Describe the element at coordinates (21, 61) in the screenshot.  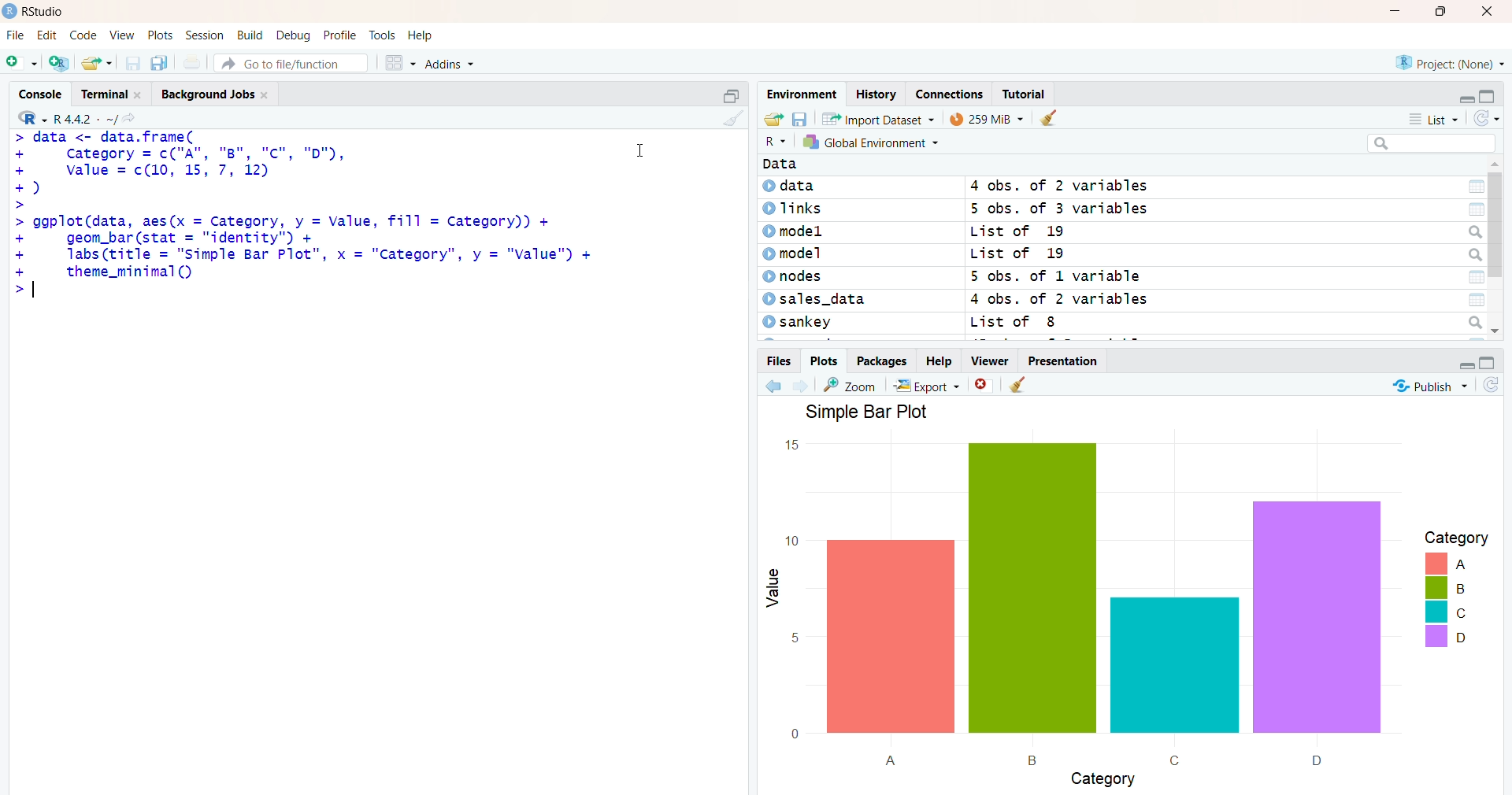
I see `new file` at that location.